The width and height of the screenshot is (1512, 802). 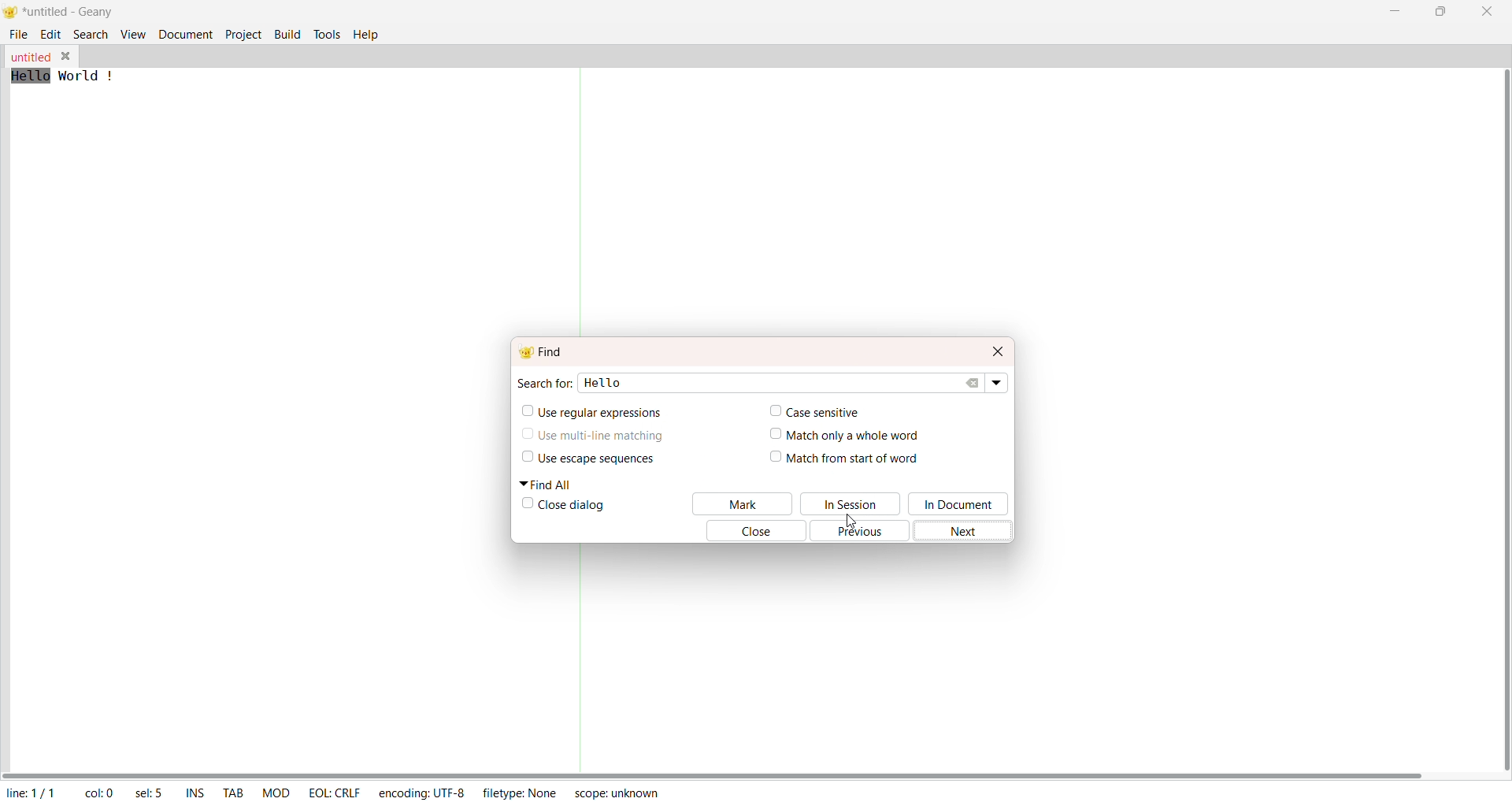 What do you see at coordinates (35, 790) in the screenshot?
I see `Line 1/1` at bounding box center [35, 790].